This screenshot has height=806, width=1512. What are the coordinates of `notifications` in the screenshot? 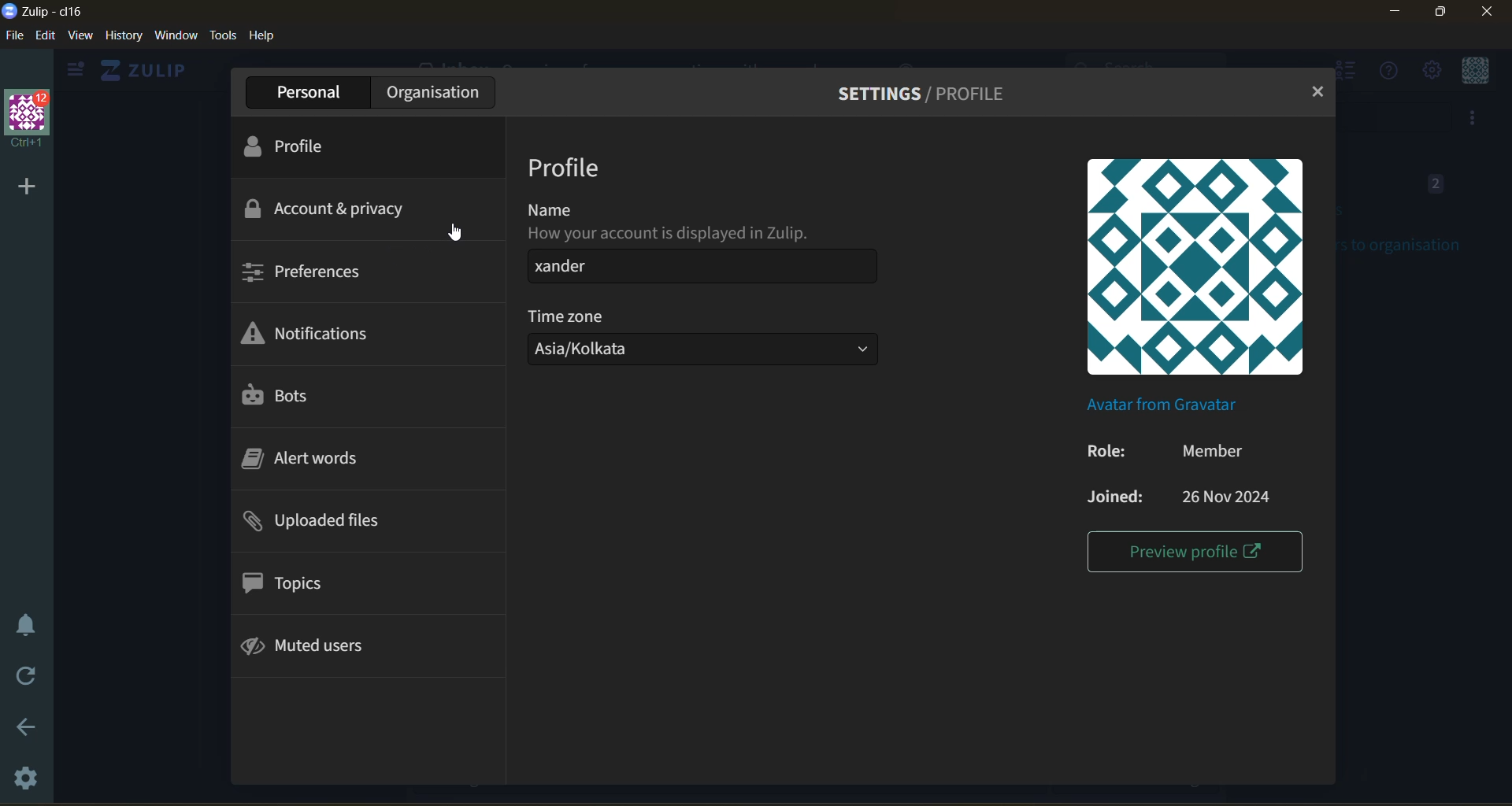 It's located at (314, 338).